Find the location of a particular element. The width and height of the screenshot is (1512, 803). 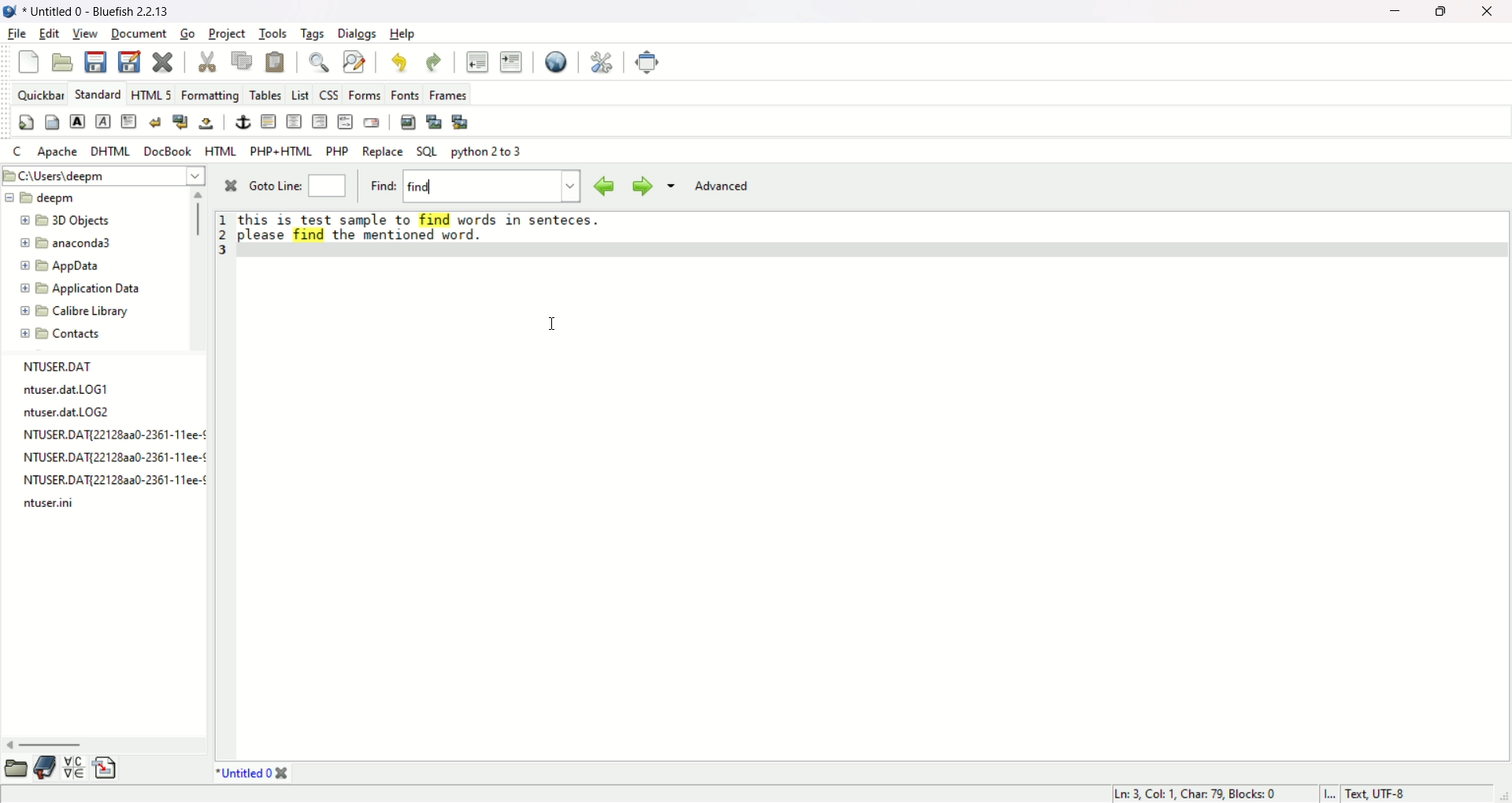

multi thumbnail is located at coordinates (463, 121).